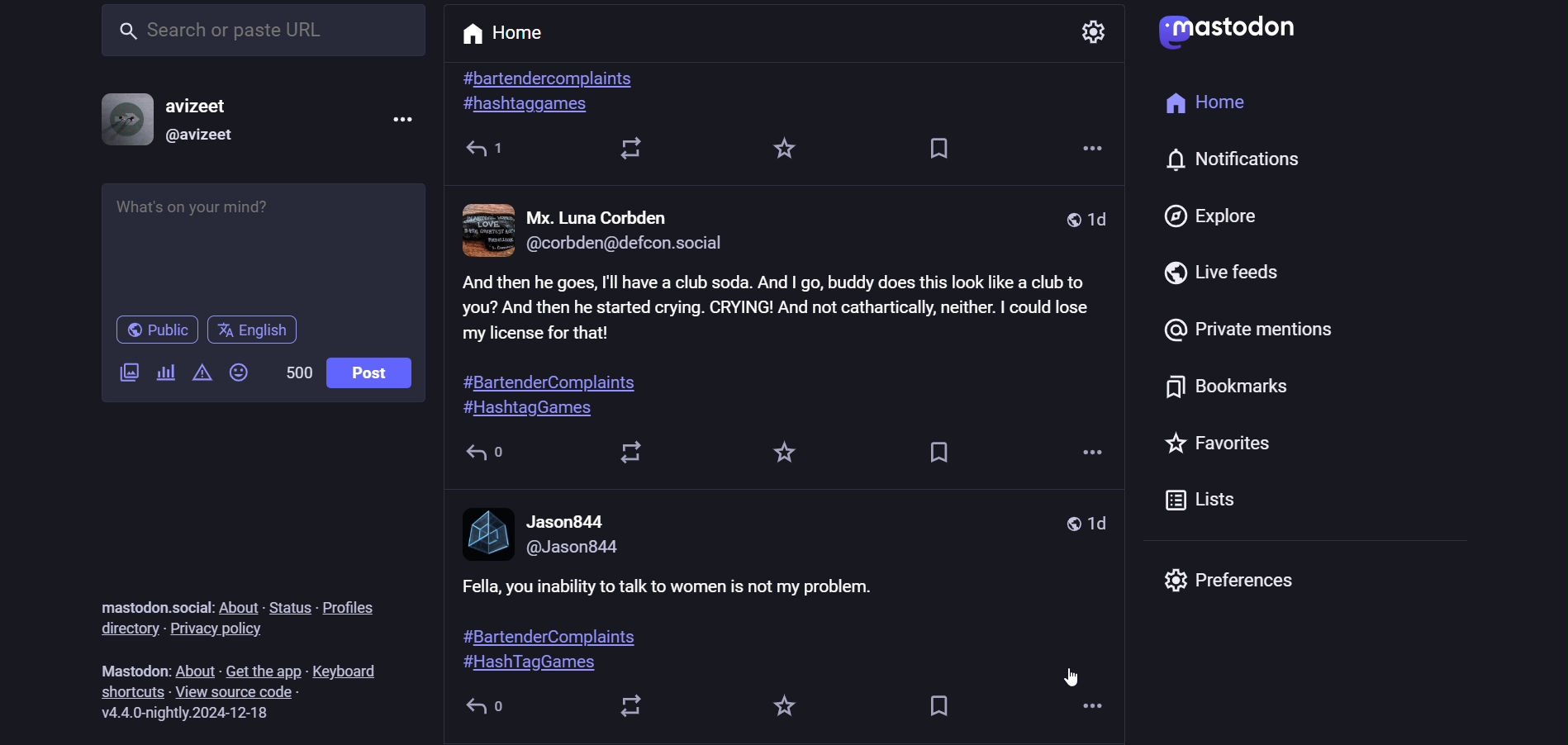  Describe the element at coordinates (488, 531) in the screenshot. I see `image` at that location.